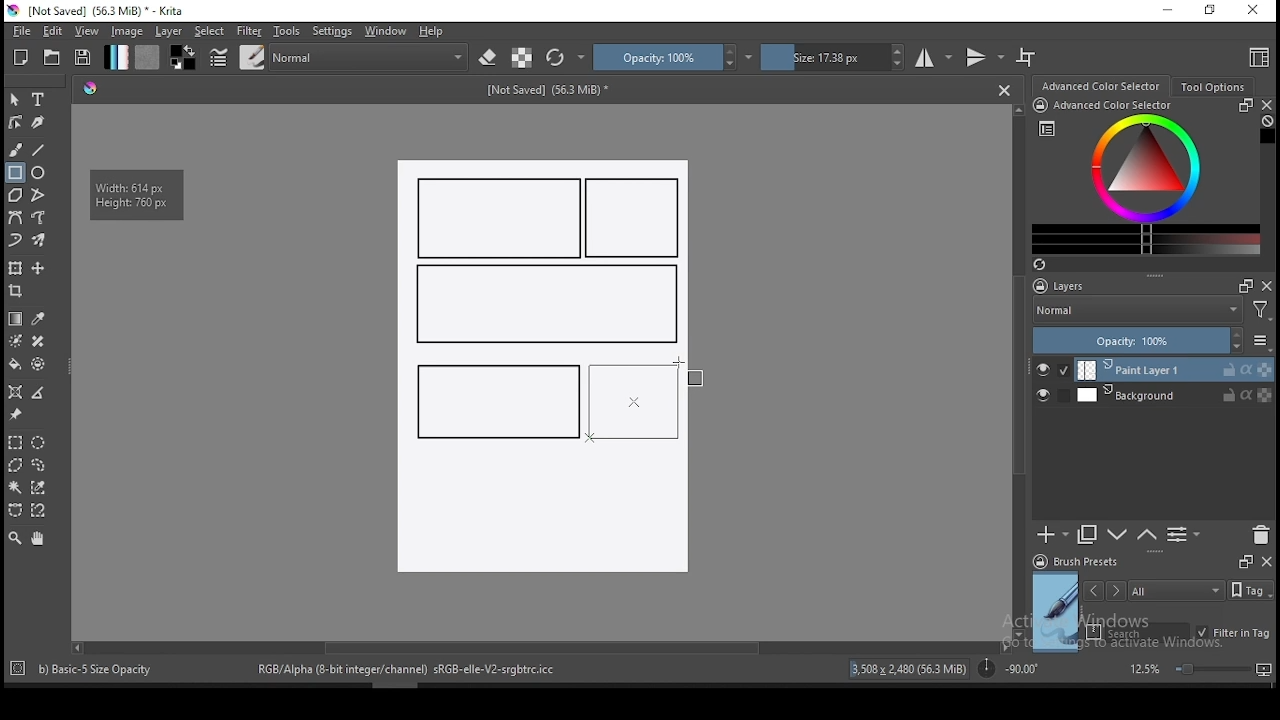 The height and width of the screenshot is (720, 1280). Describe the element at coordinates (1118, 537) in the screenshot. I see `move layer one step up` at that location.